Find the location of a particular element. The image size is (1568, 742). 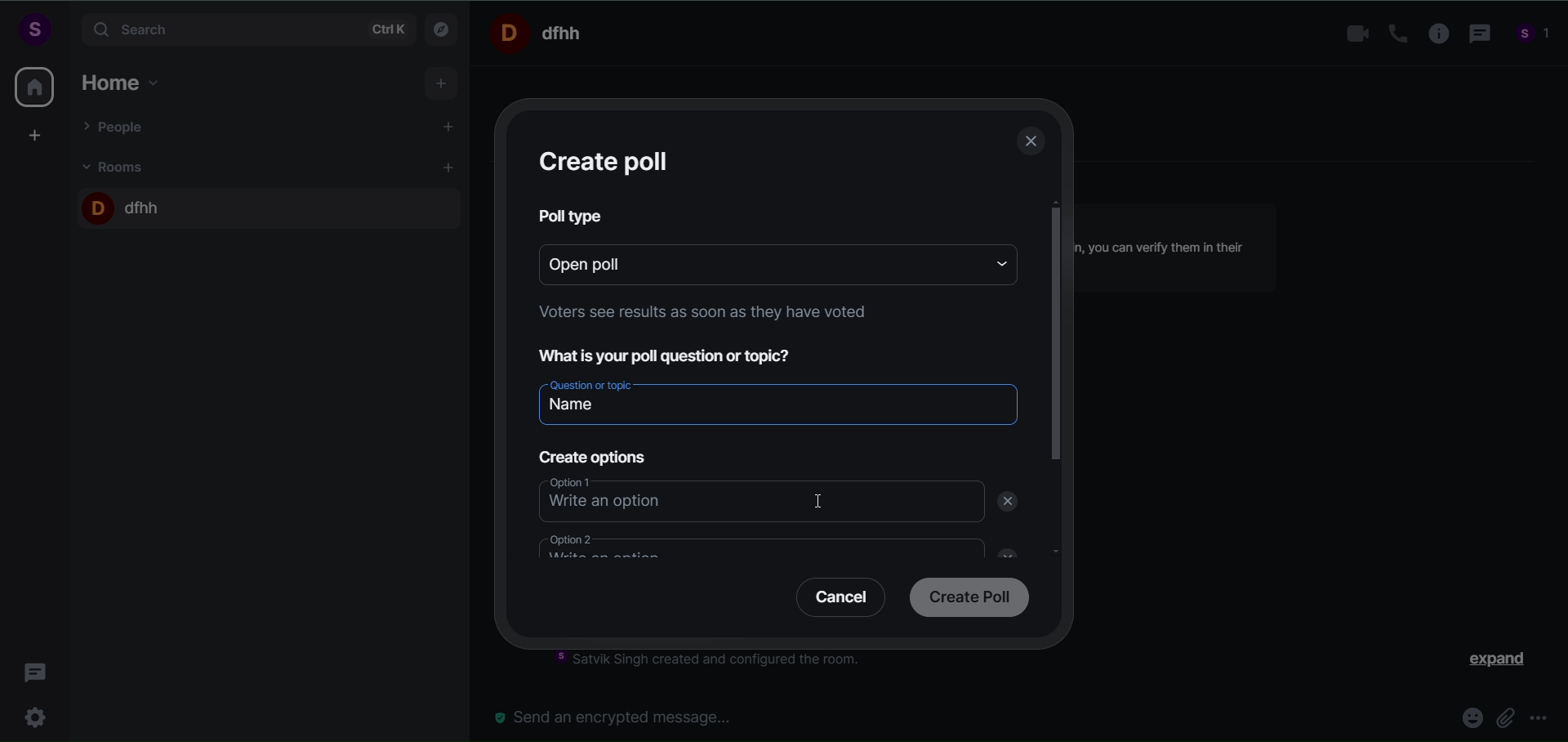

close is located at coordinates (1002, 551).